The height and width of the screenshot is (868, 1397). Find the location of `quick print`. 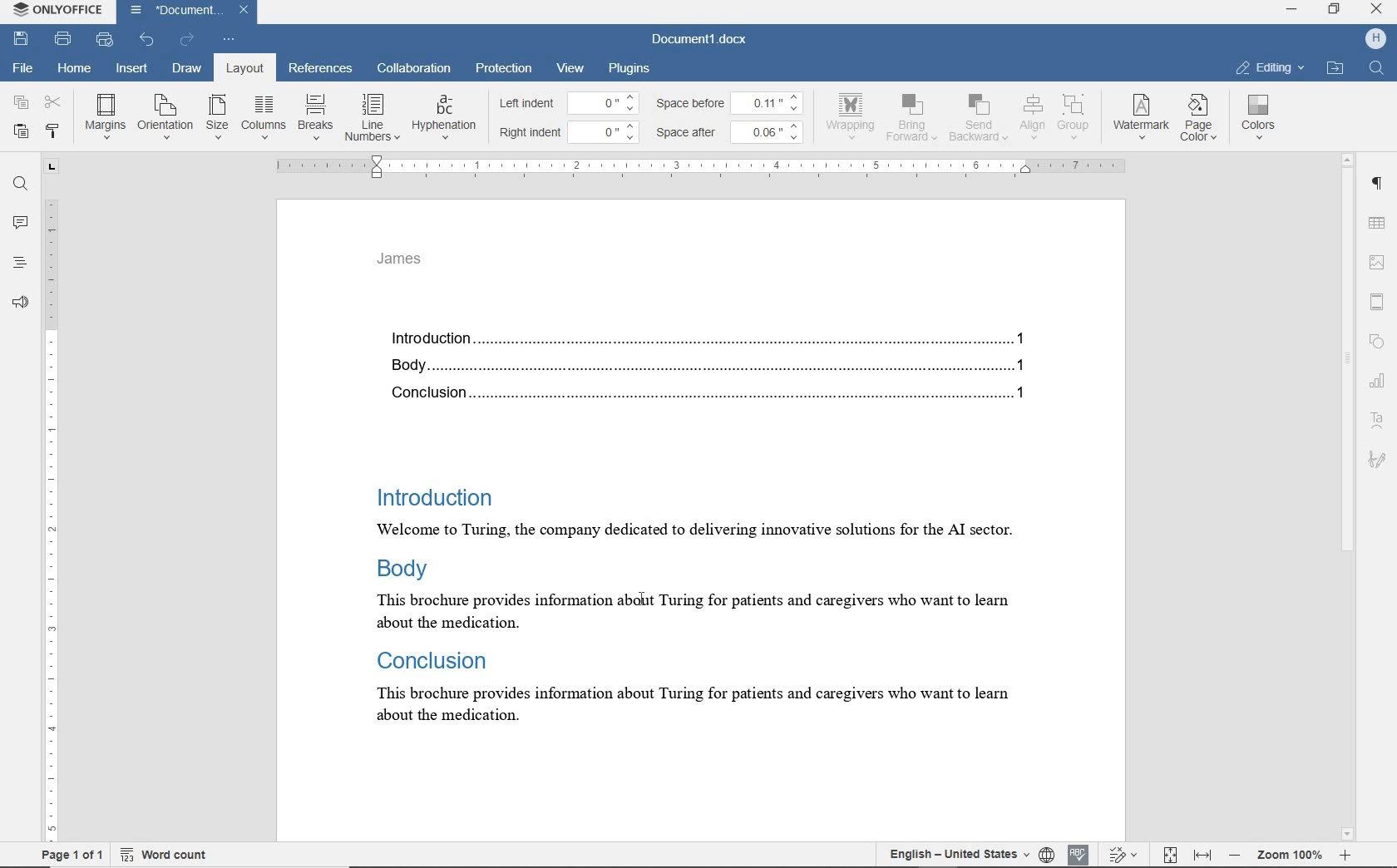

quick print is located at coordinates (106, 42).